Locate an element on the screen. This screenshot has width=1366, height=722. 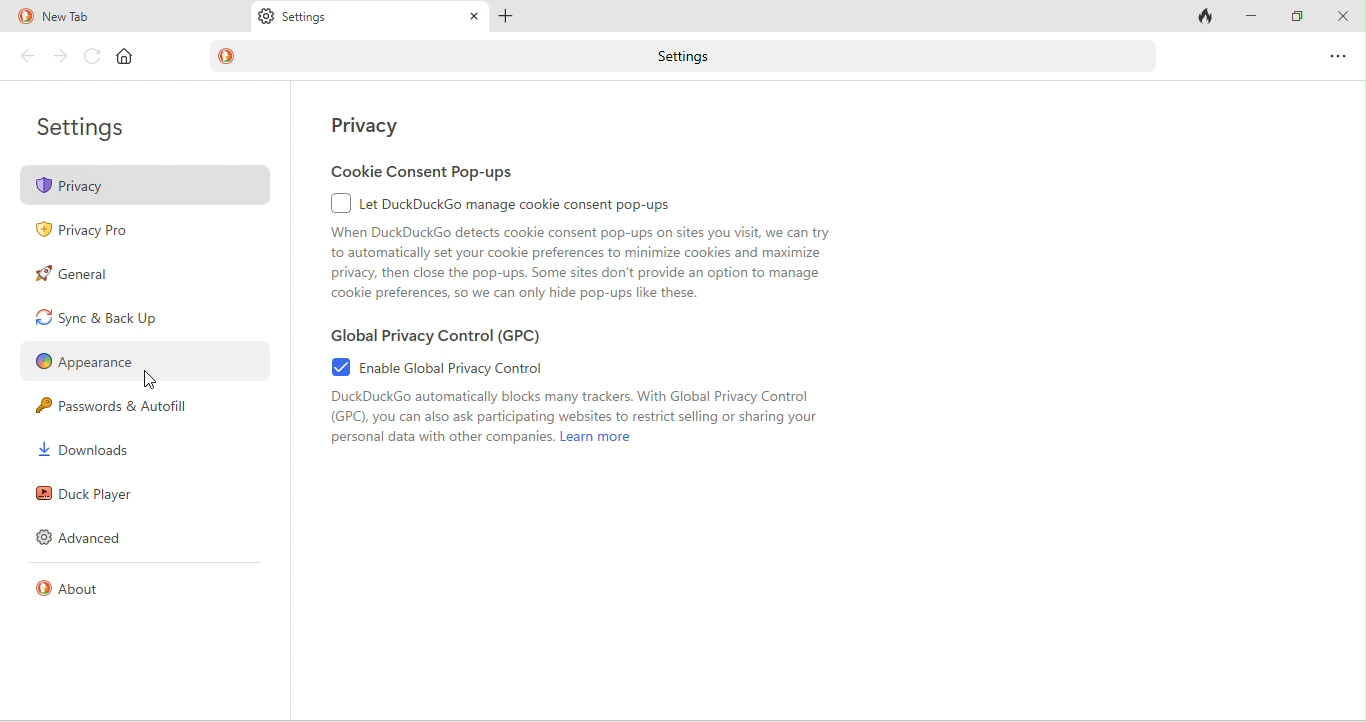
privacy pro is located at coordinates (91, 228).